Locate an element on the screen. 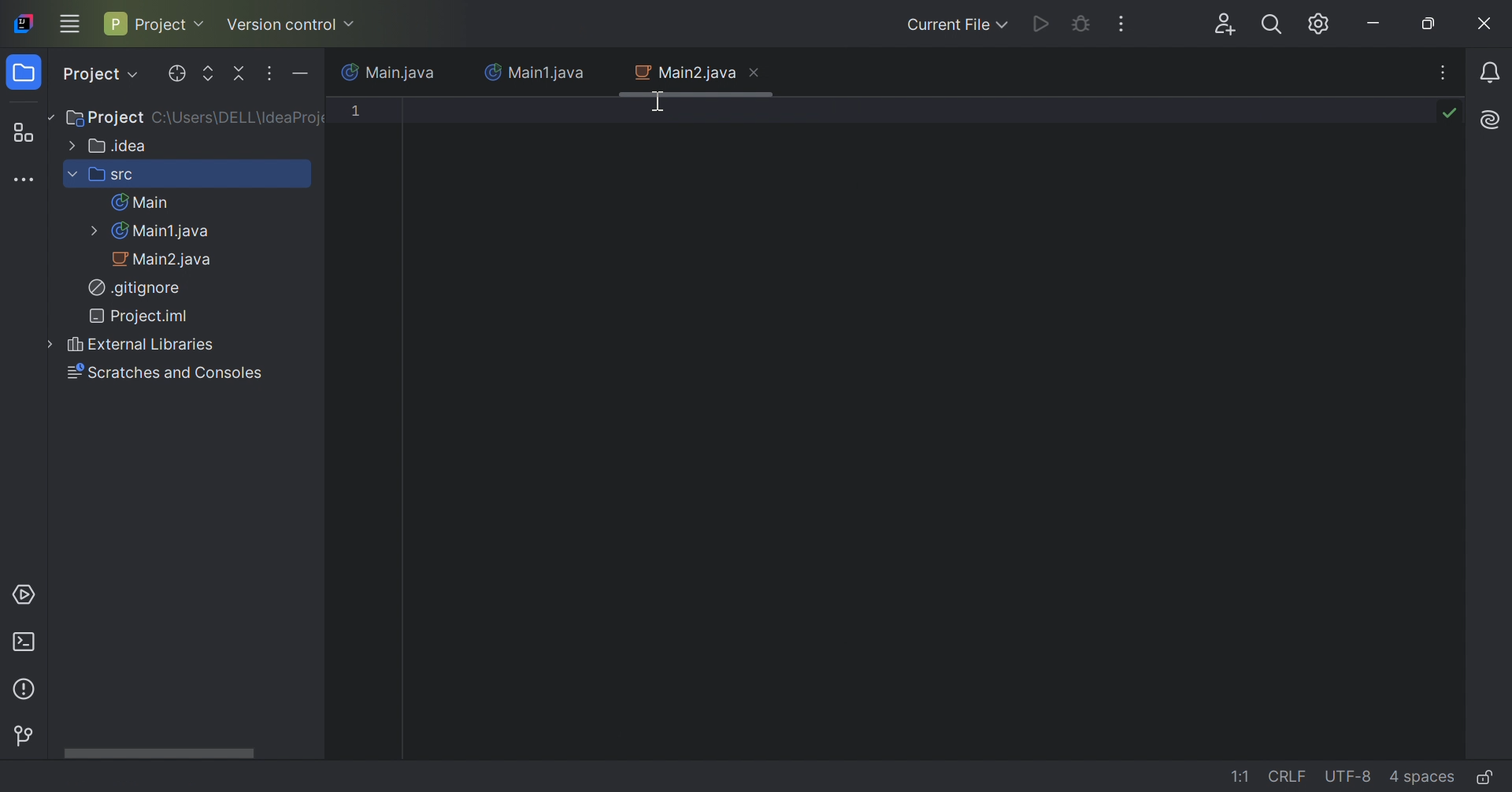  Expand Selected is located at coordinates (209, 73).